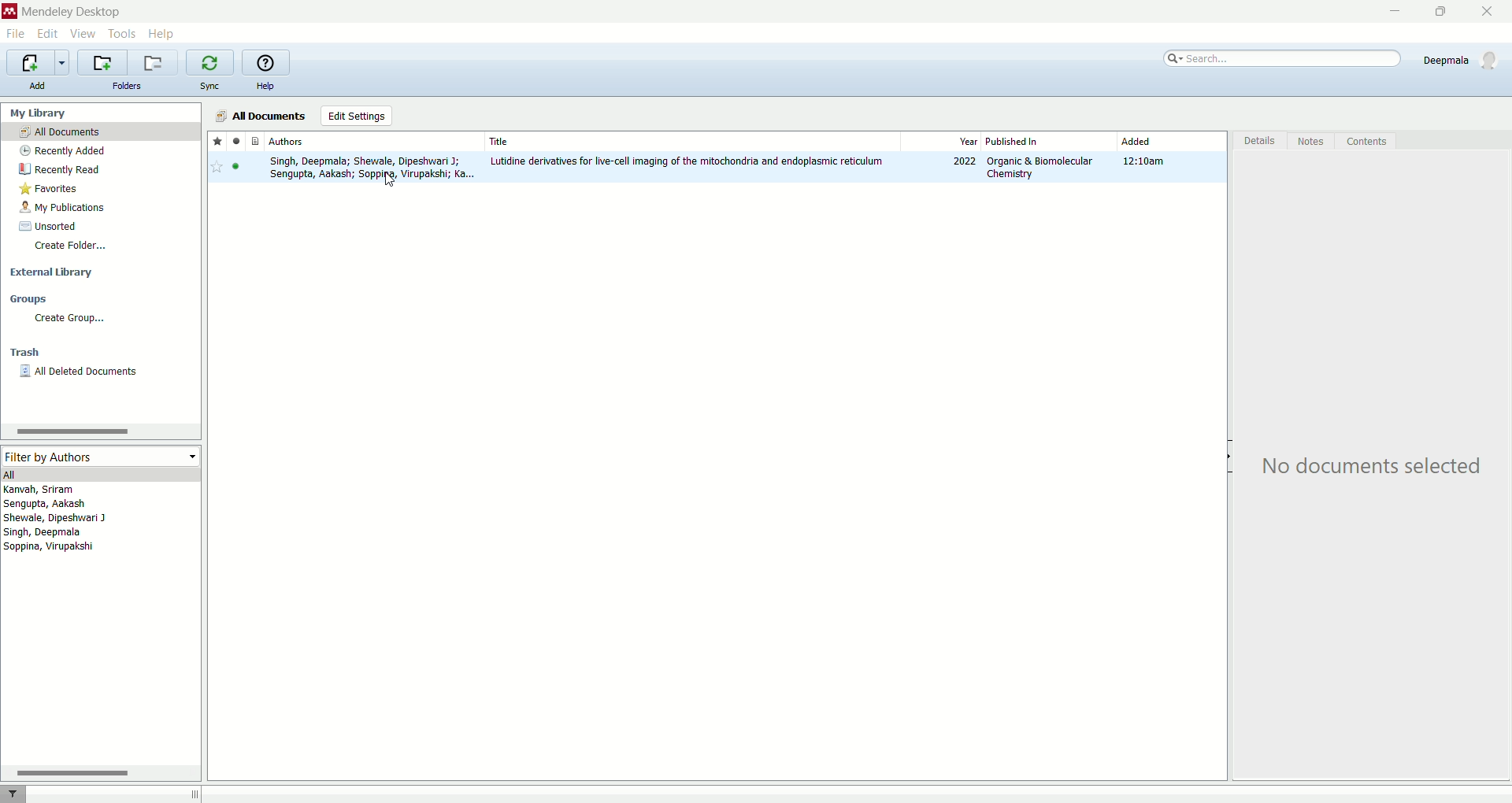 This screenshot has width=1512, height=803. Describe the element at coordinates (1027, 140) in the screenshot. I see `published in` at that location.